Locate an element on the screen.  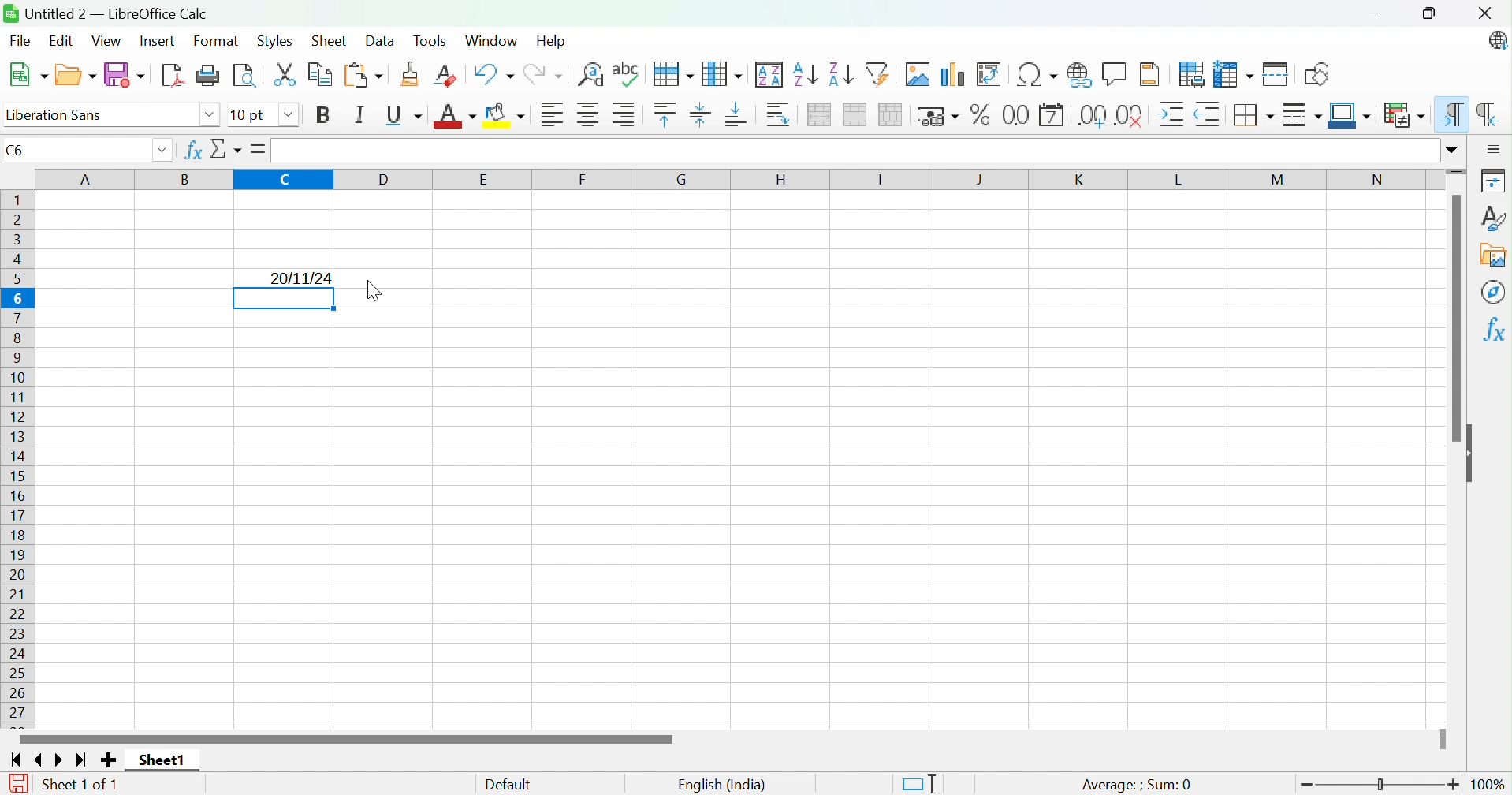
Copy is located at coordinates (321, 73).